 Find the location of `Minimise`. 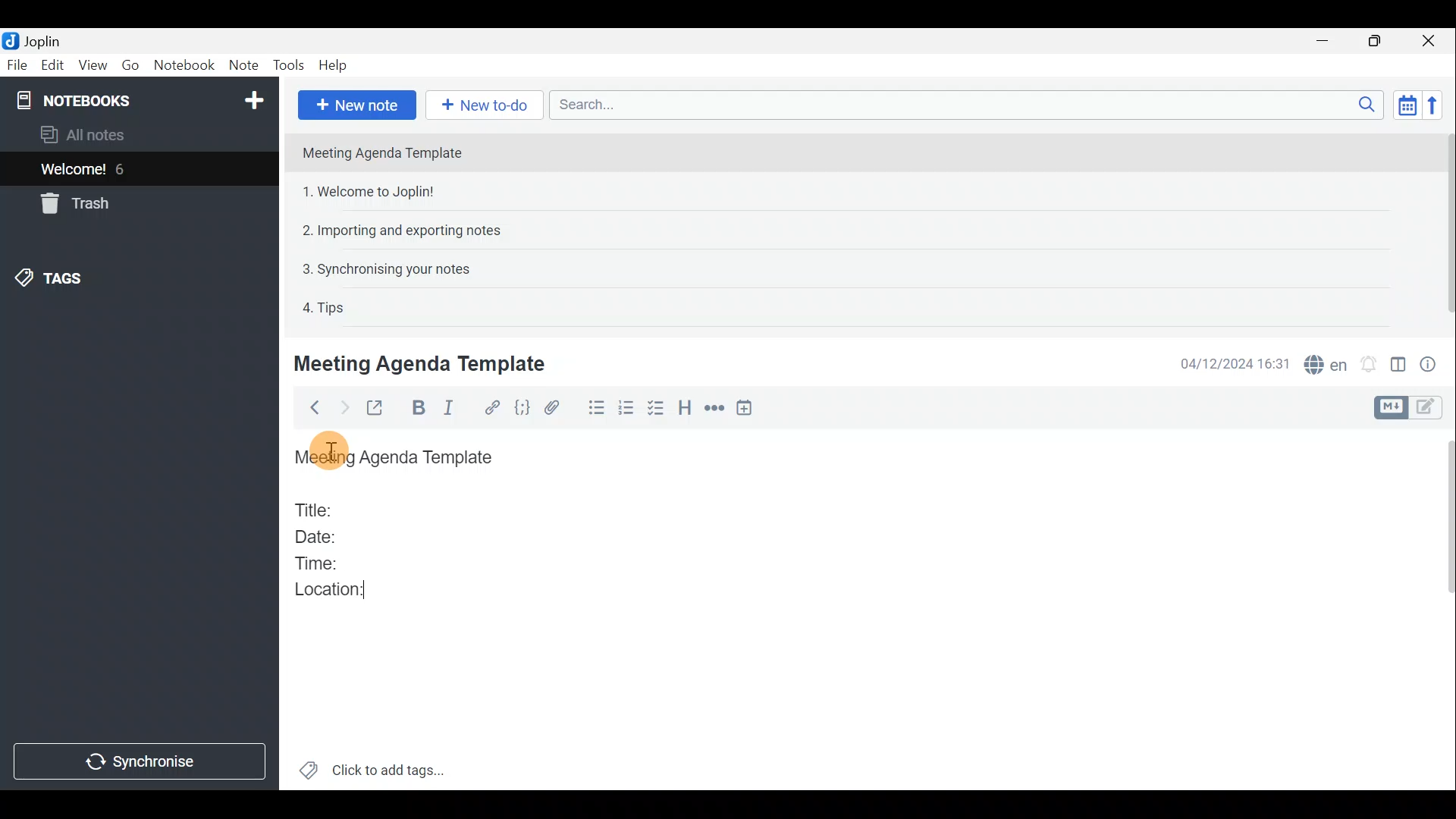

Minimise is located at coordinates (1325, 40).